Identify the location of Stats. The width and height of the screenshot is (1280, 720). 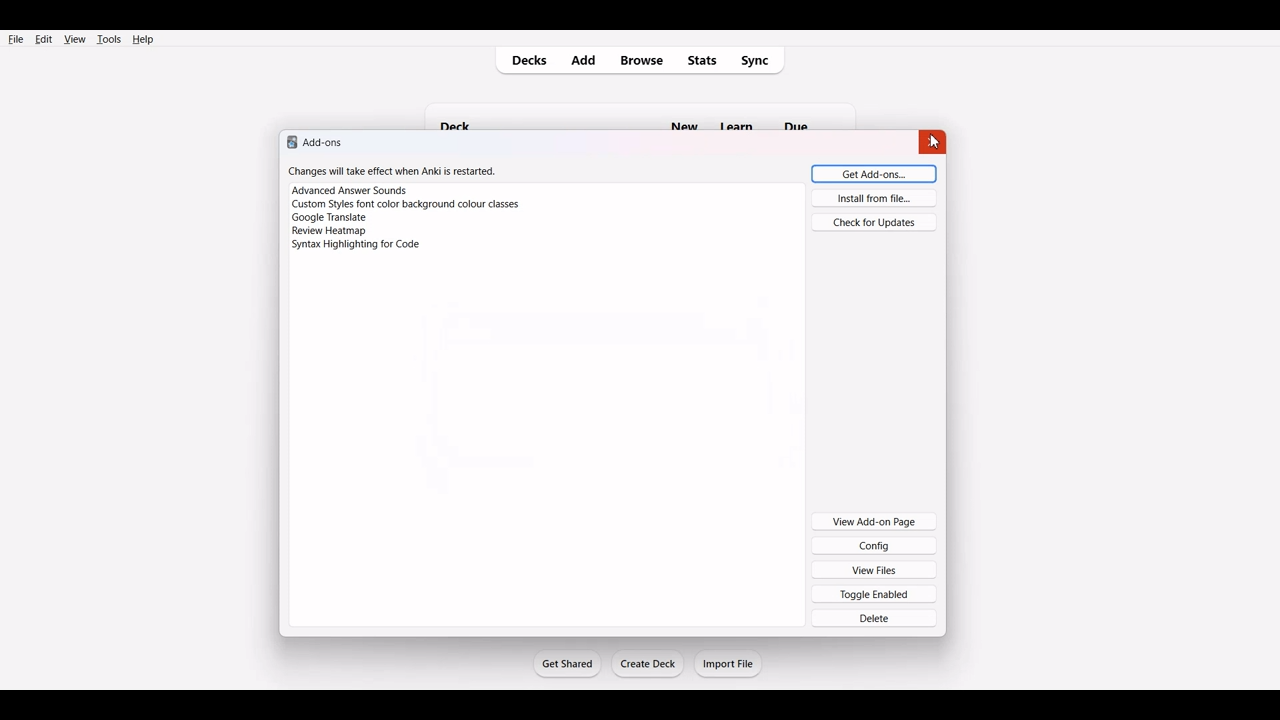
(703, 60).